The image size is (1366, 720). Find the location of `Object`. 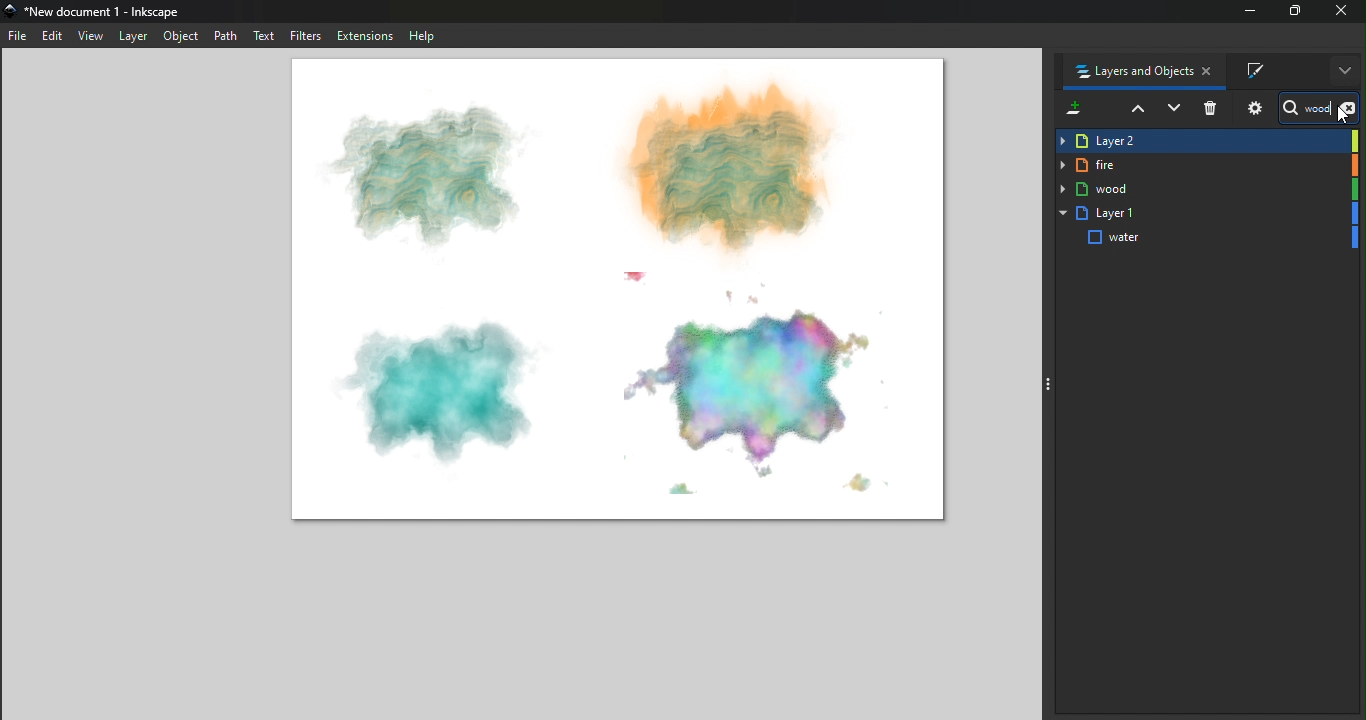

Object is located at coordinates (182, 37).